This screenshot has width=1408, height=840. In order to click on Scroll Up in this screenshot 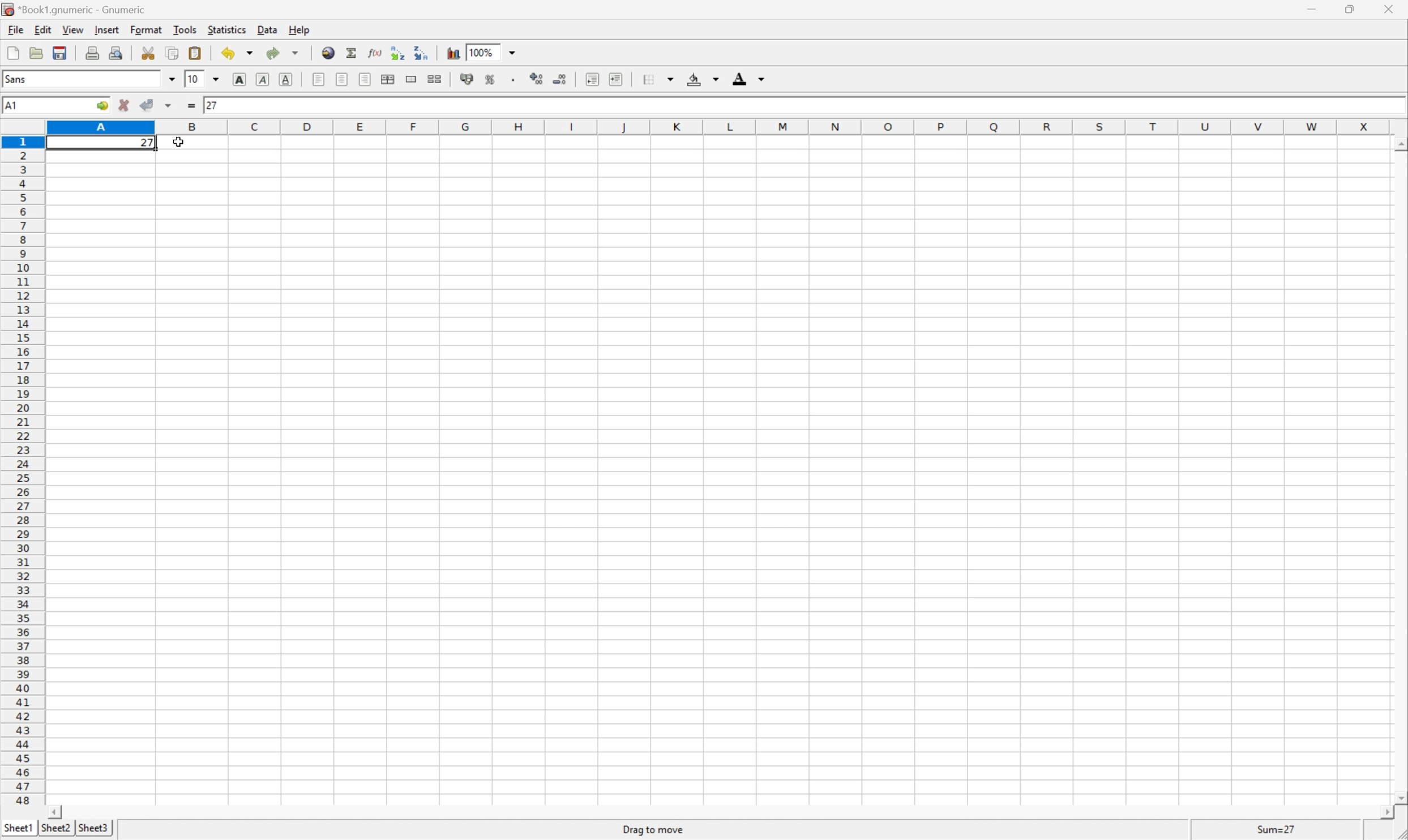, I will do `click(1399, 147)`.